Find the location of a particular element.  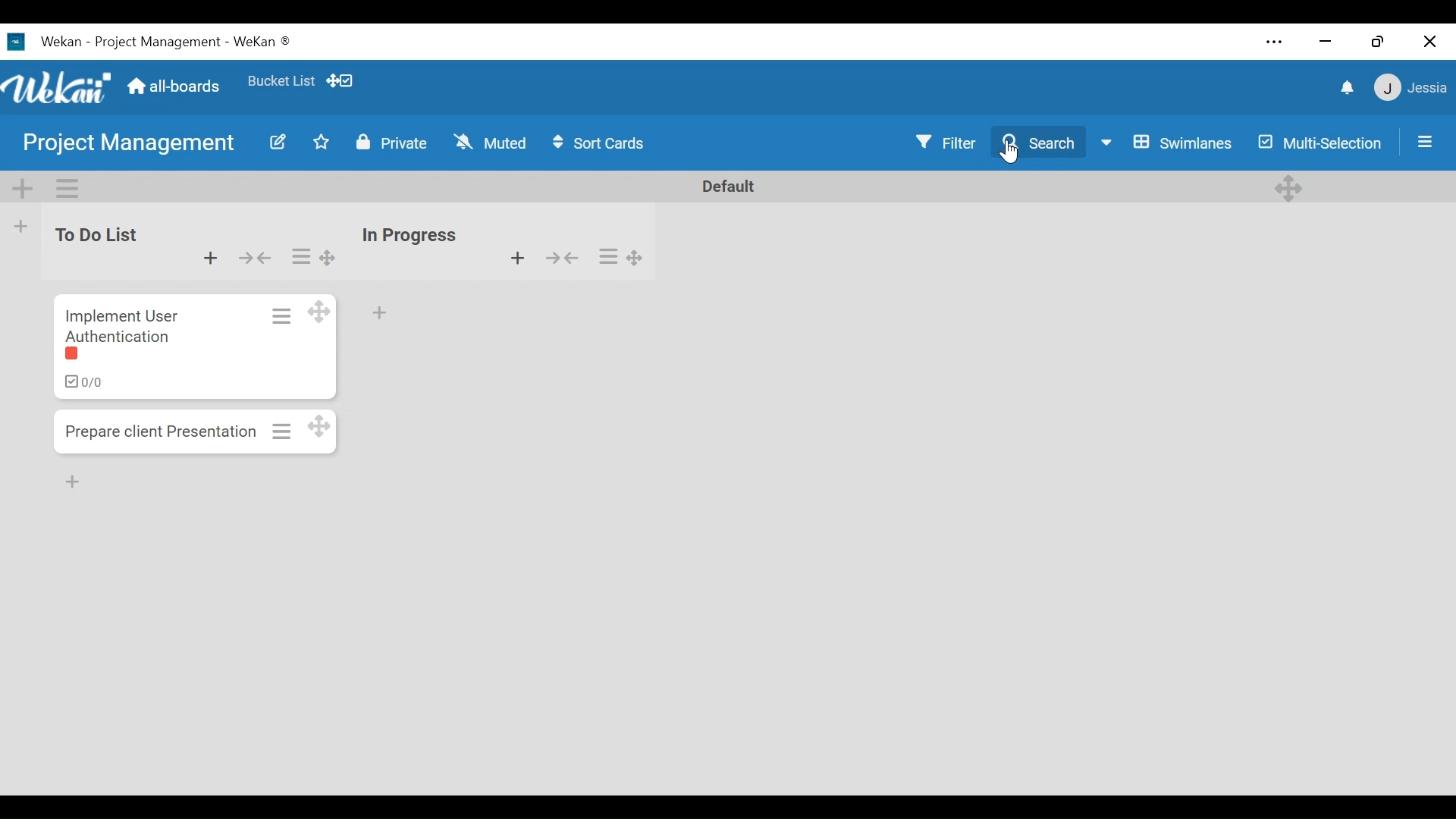

Desktop drag handles is located at coordinates (334, 259).